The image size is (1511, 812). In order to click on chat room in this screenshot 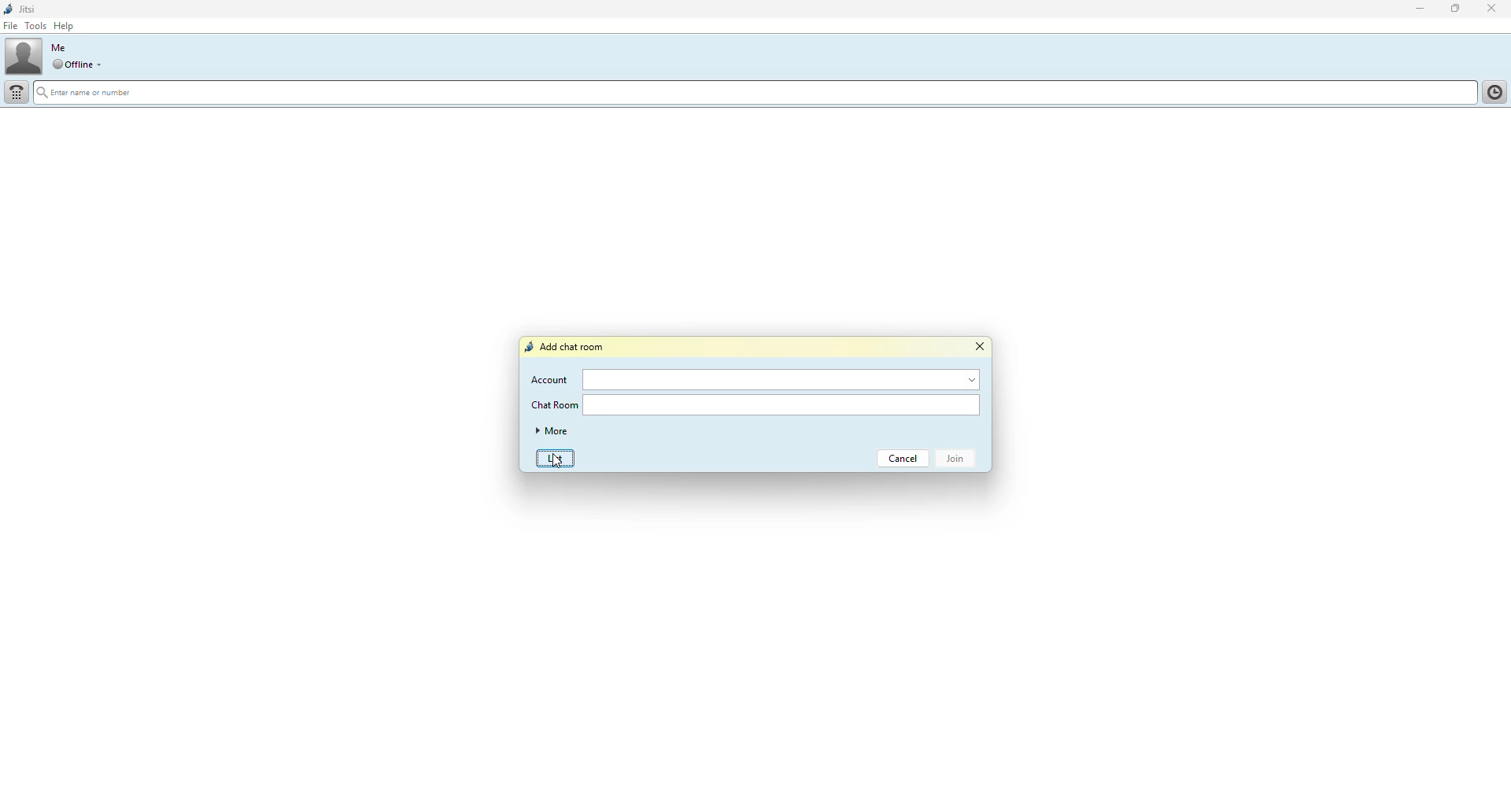, I will do `click(557, 405)`.